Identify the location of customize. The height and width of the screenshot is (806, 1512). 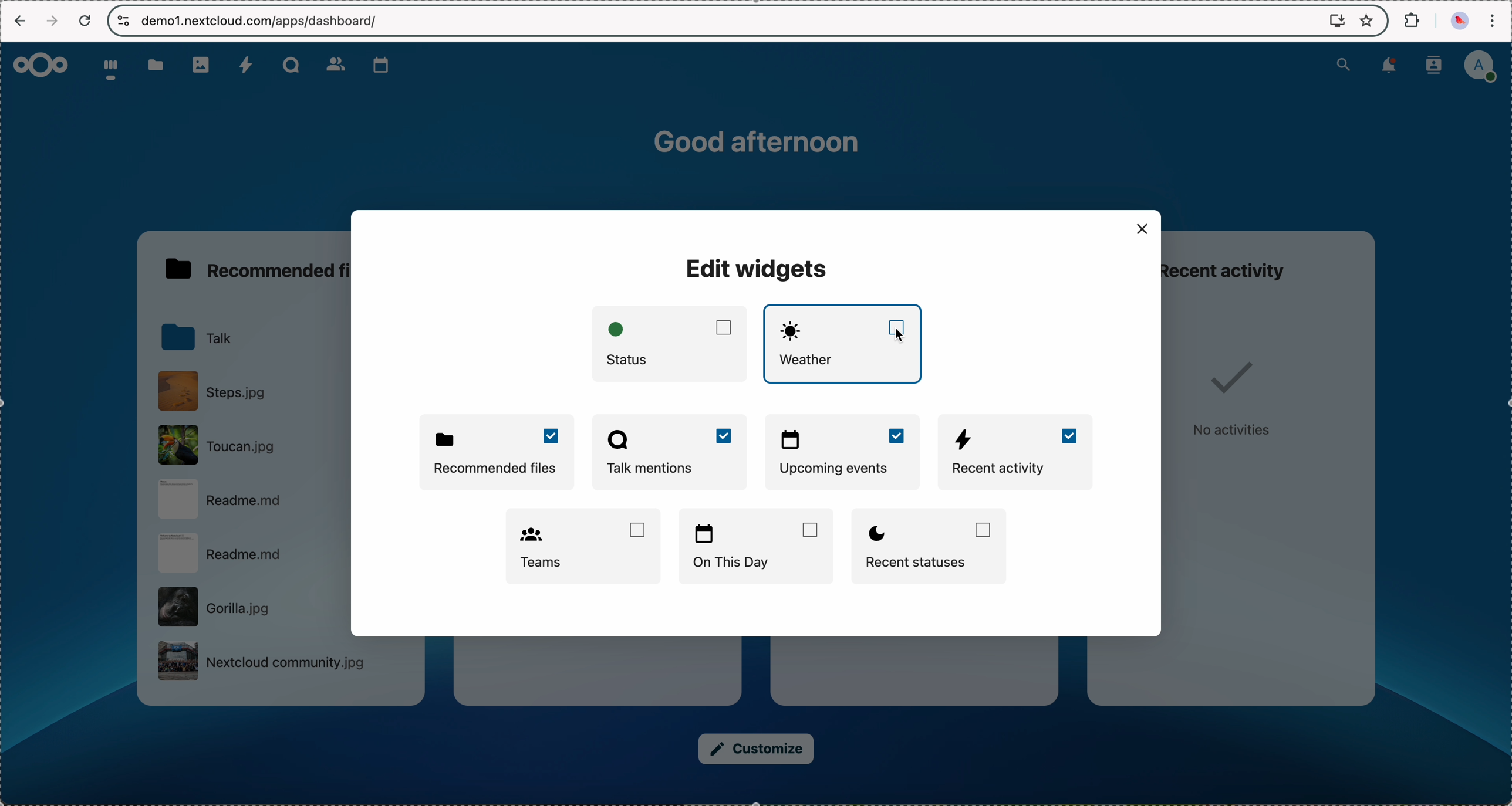
(757, 750).